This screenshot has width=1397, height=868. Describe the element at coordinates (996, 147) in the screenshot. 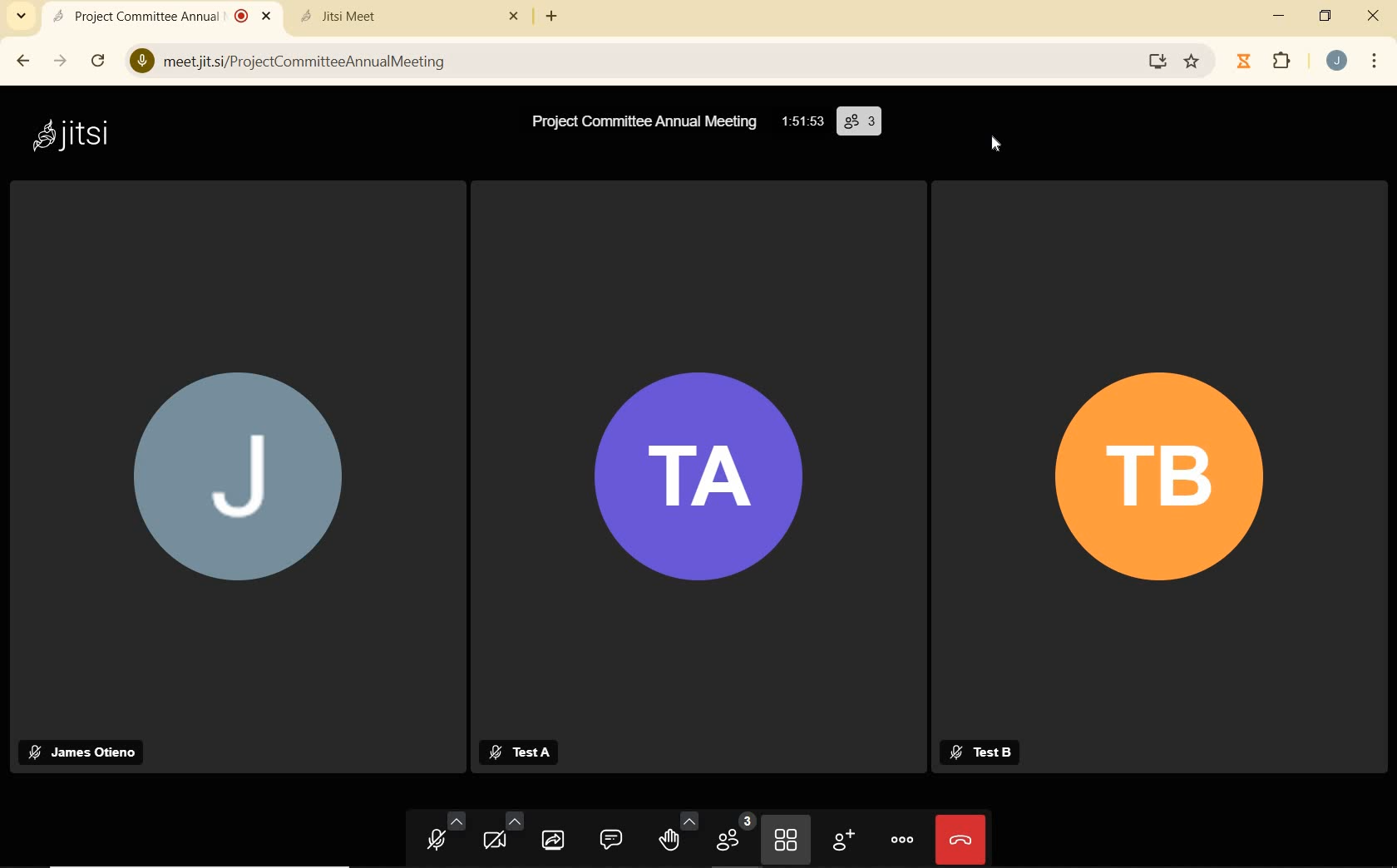

I see `crusor` at that location.